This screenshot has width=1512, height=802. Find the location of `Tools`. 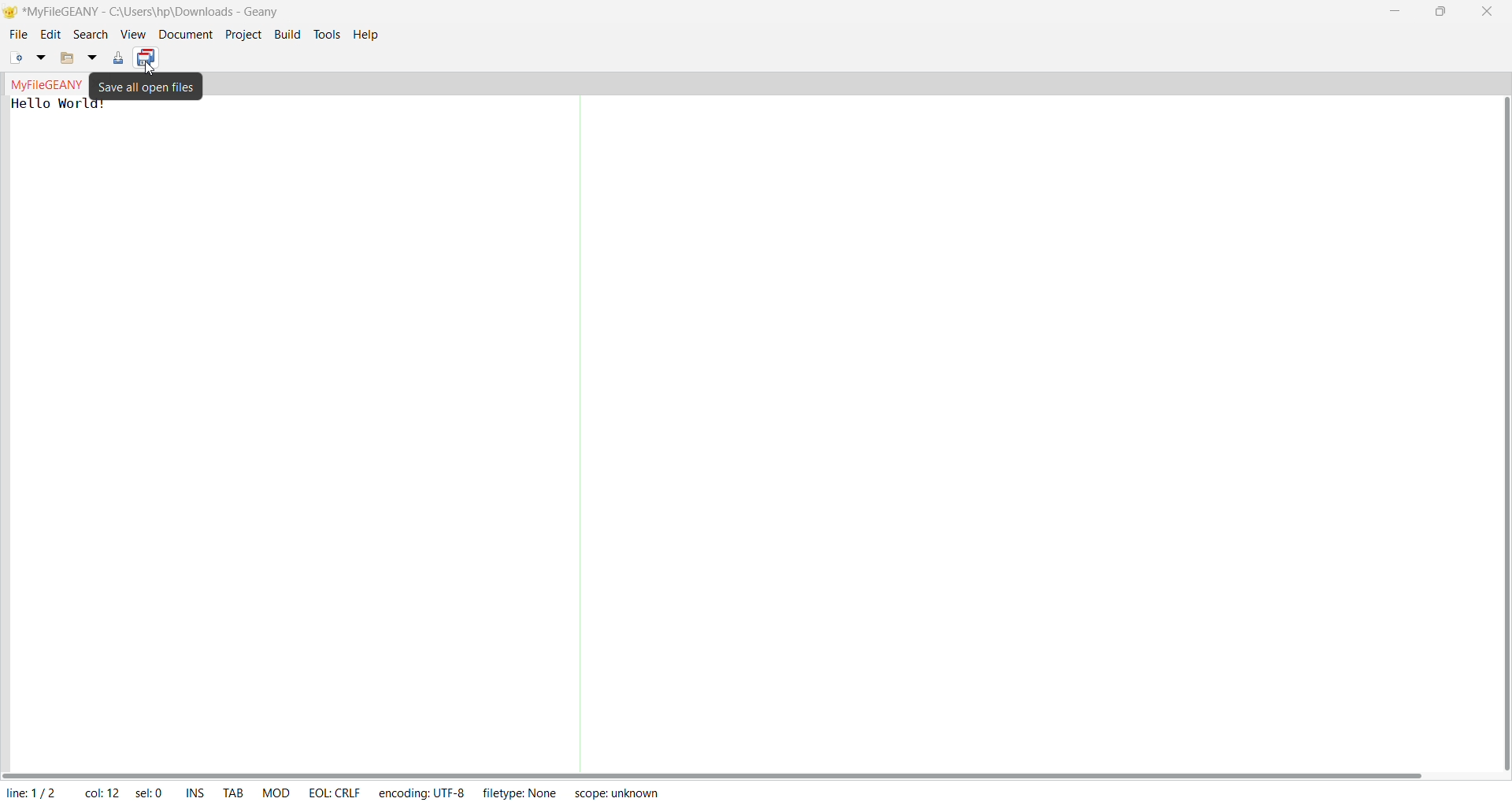

Tools is located at coordinates (328, 34).